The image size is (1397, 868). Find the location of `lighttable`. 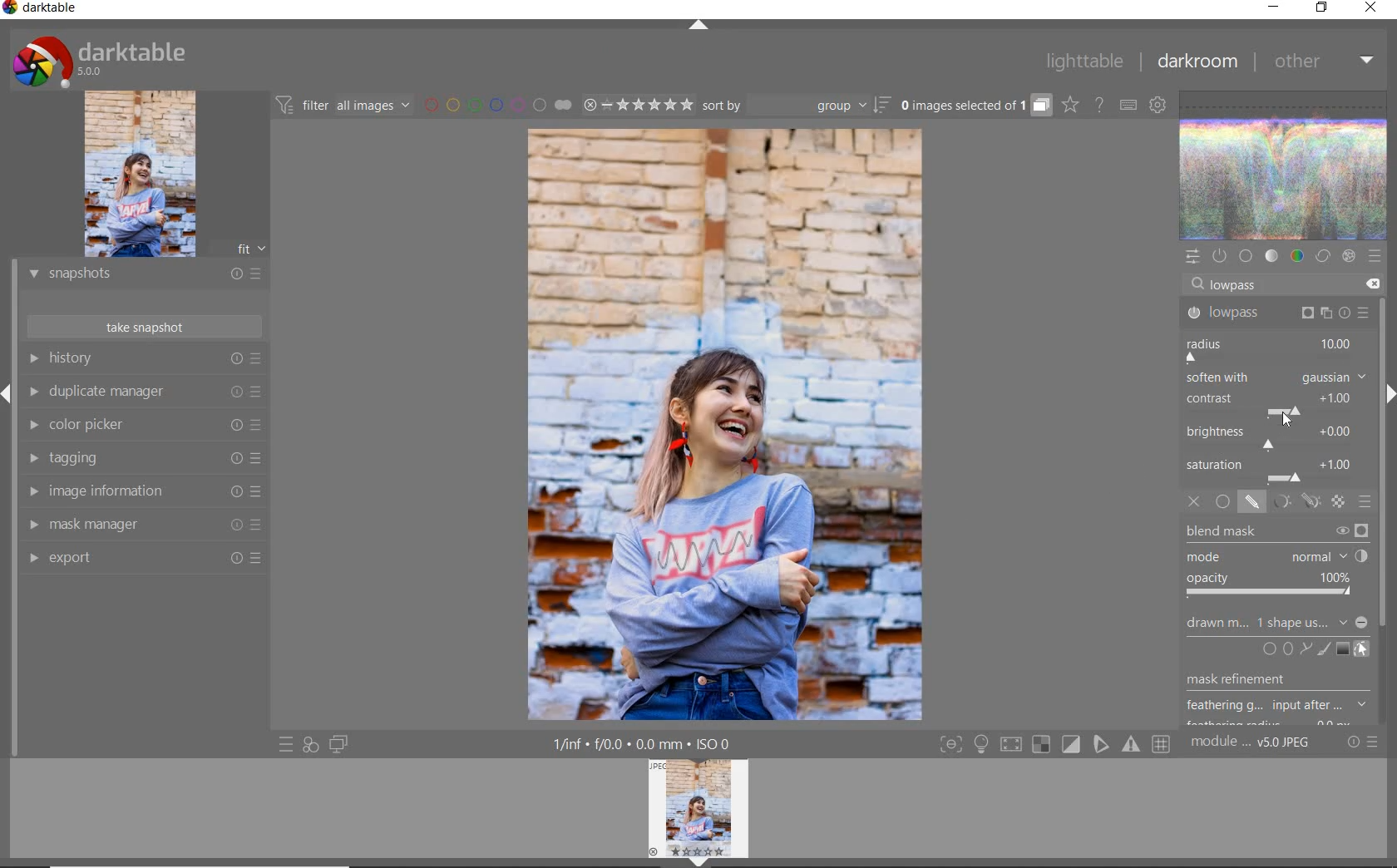

lighttable is located at coordinates (1082, 64).